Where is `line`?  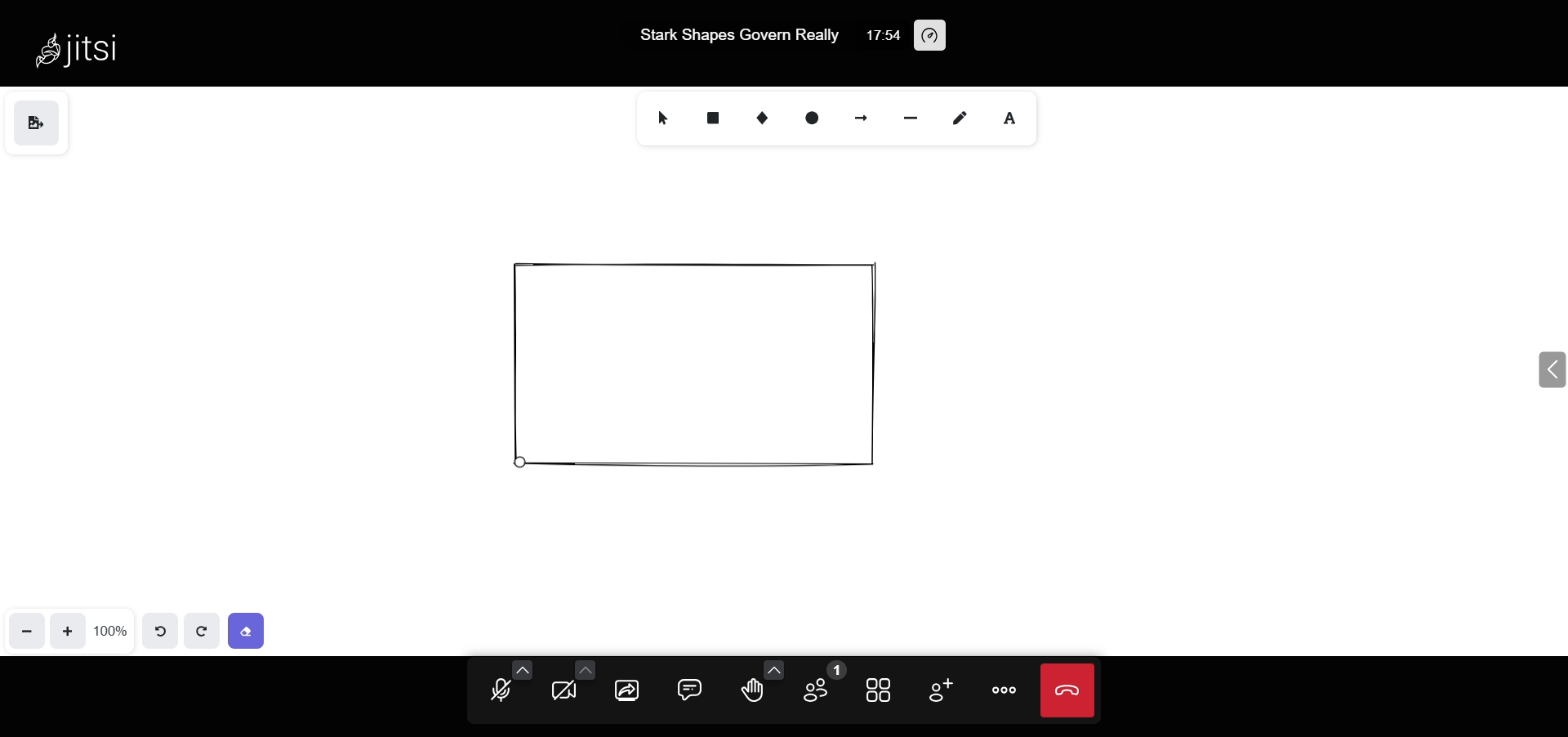
line is located at coordinates (908, 117).